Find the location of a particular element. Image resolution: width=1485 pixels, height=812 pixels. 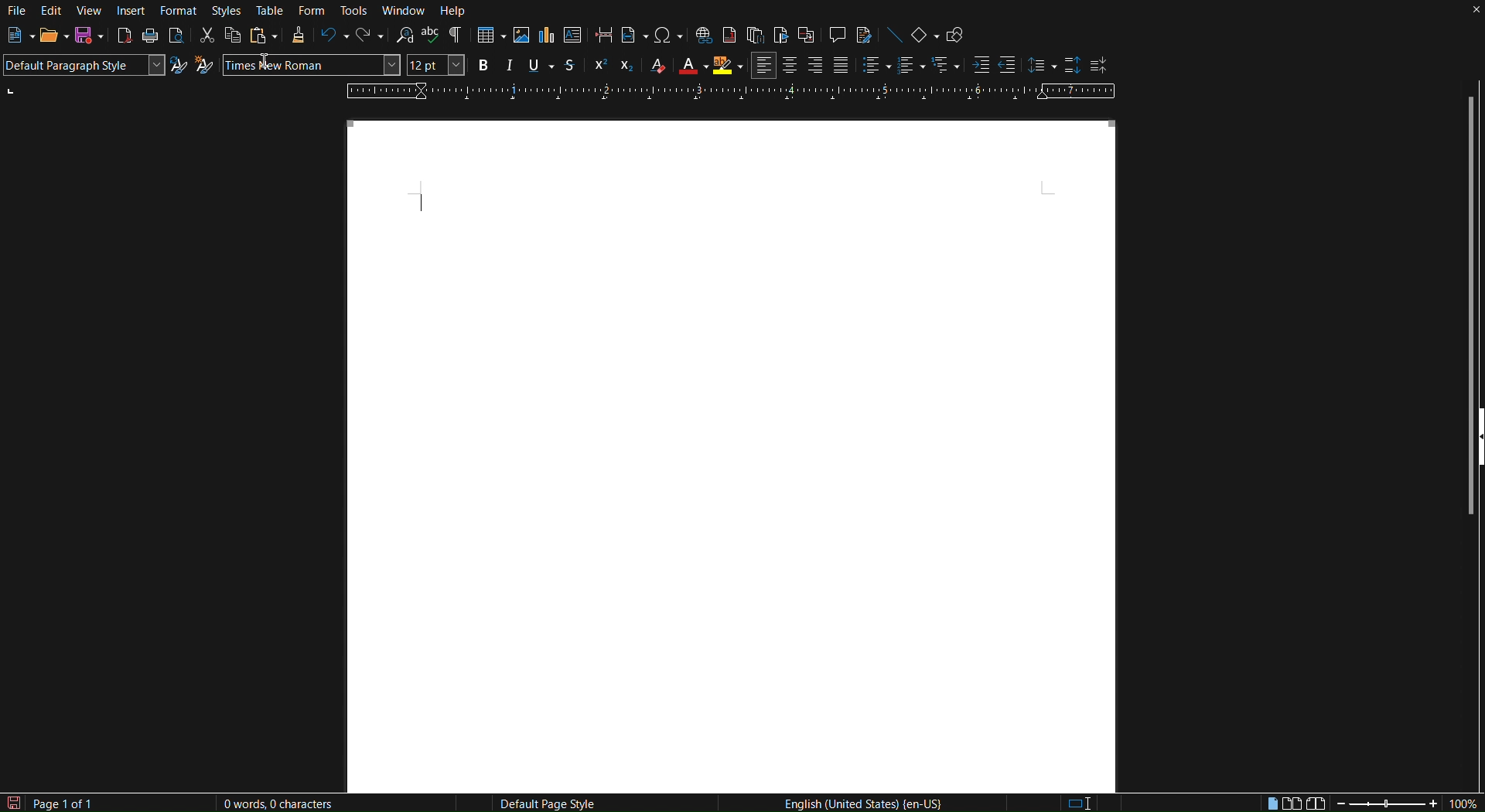

Underline is located at coordinates (540, 65).